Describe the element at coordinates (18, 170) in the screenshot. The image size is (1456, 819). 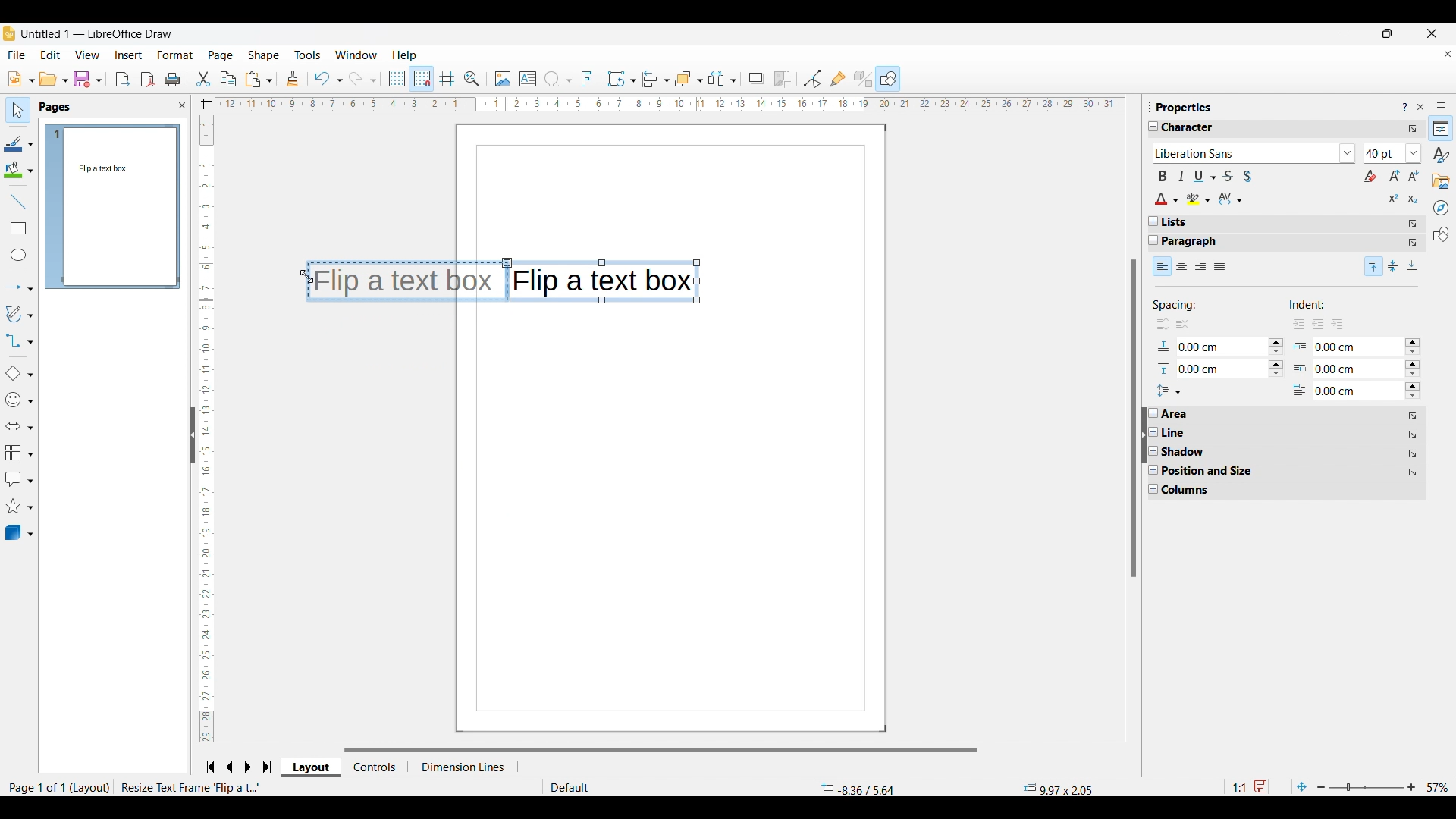
I see `Fill color options` at that location.